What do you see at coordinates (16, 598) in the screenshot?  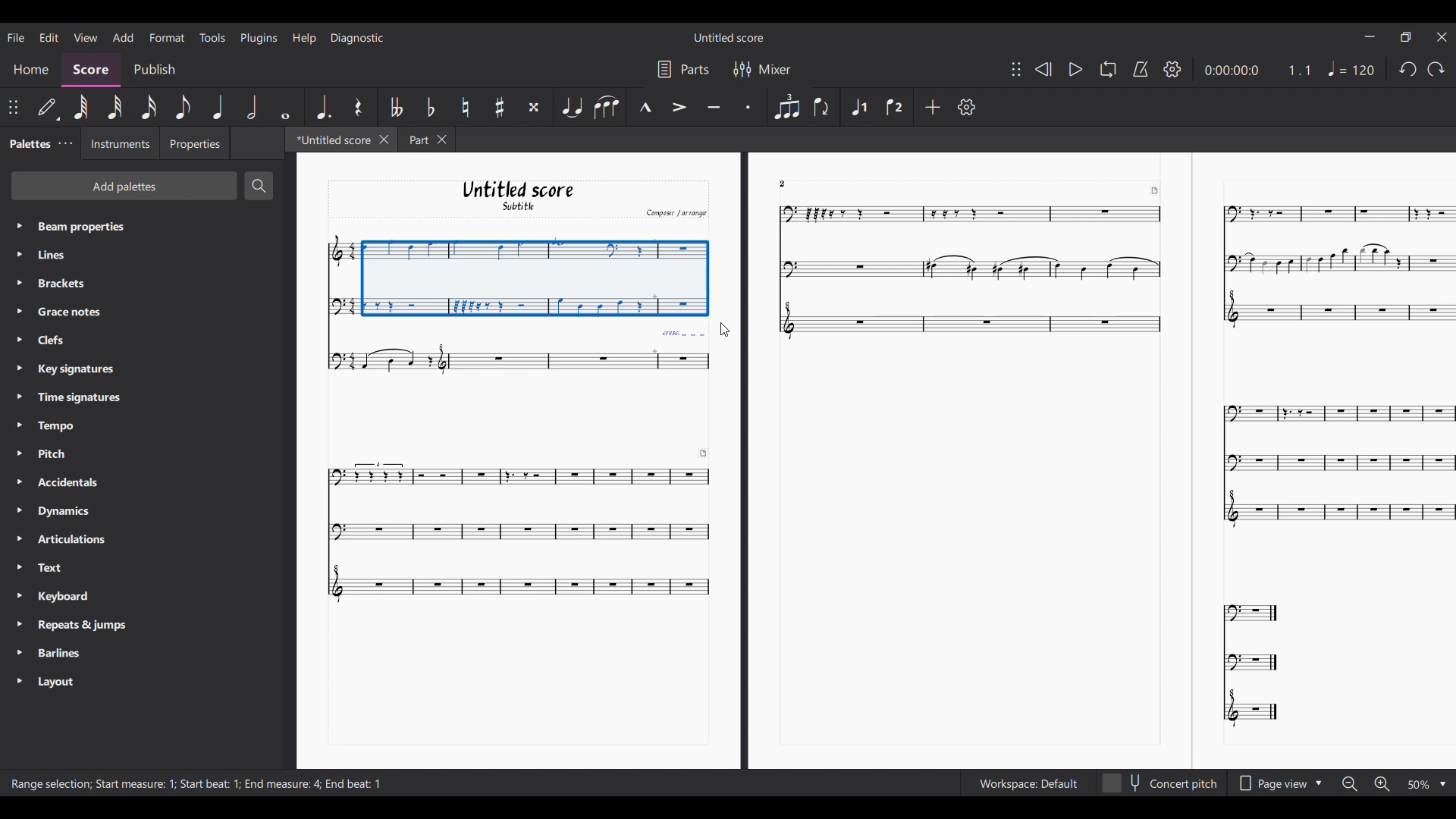 I see `` at bounding box center [16, 598].